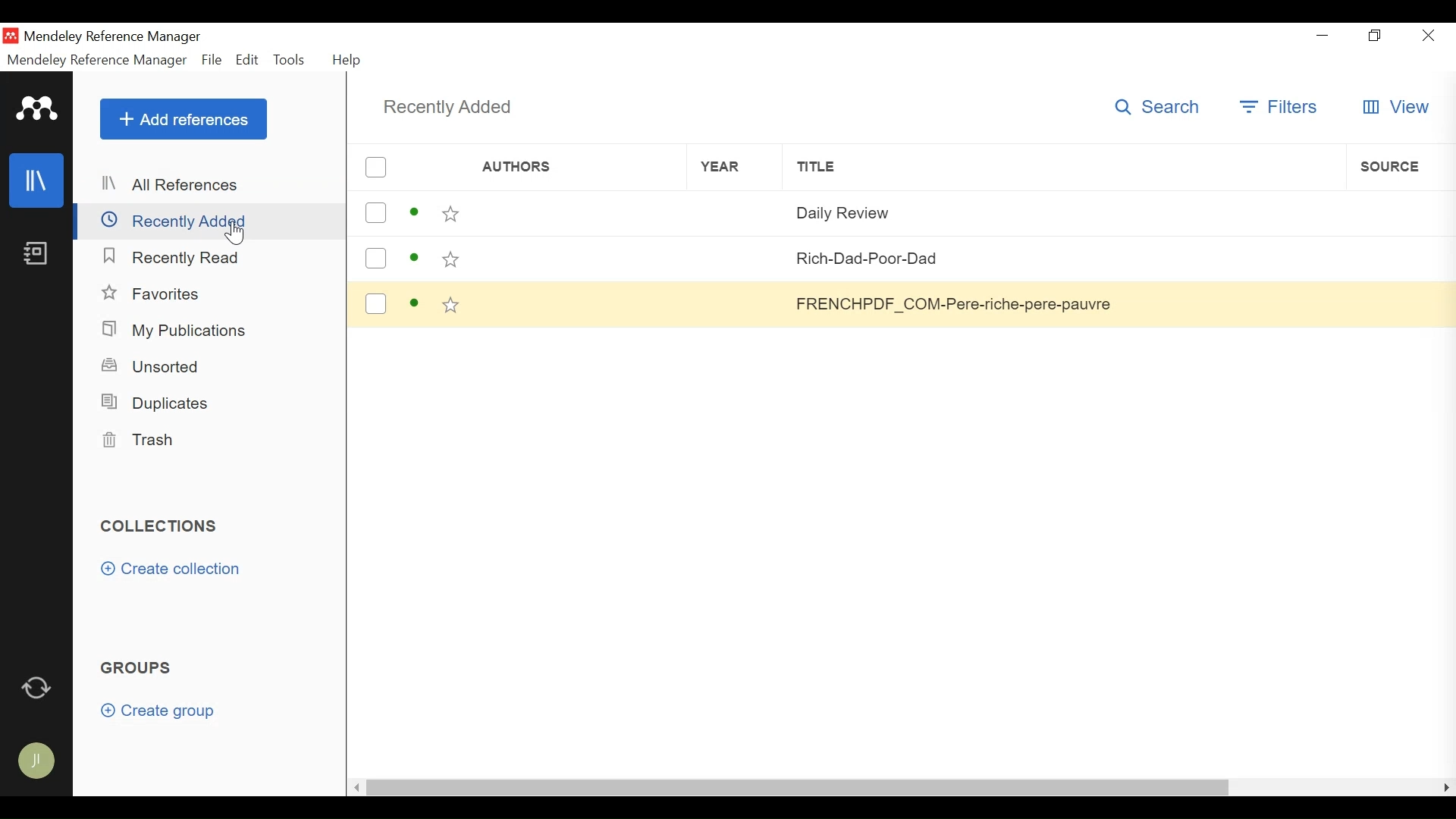 This screenshot has width=1456, height=819. What do you see at coordinates (37, 180) in the screenshot?
I see `Library` at bounding box center [37, 180].